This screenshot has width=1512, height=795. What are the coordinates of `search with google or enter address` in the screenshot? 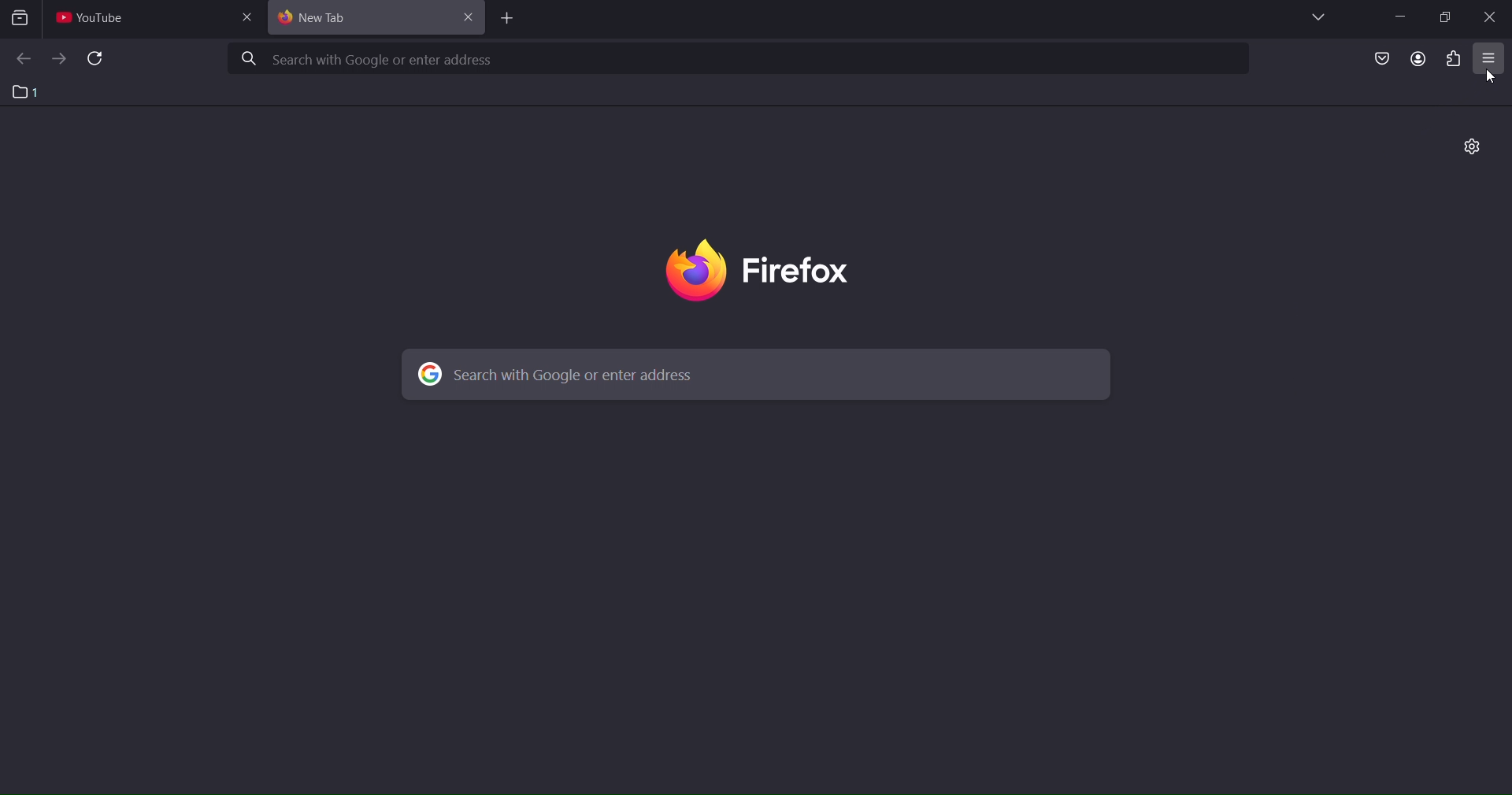 It's located at (739, 57).